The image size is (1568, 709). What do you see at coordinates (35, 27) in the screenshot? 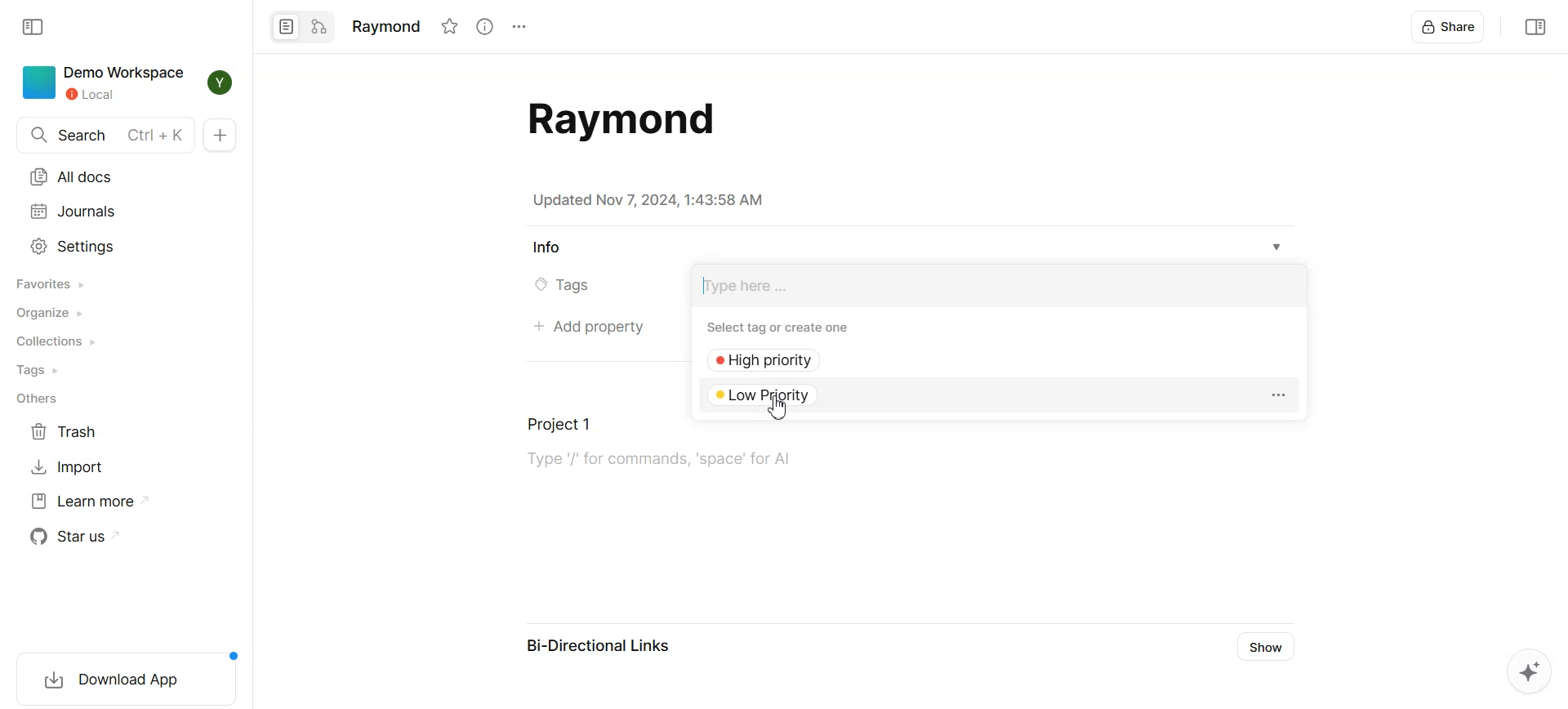
I see `Collapse Sidebar` at bounding box center [35, 27].